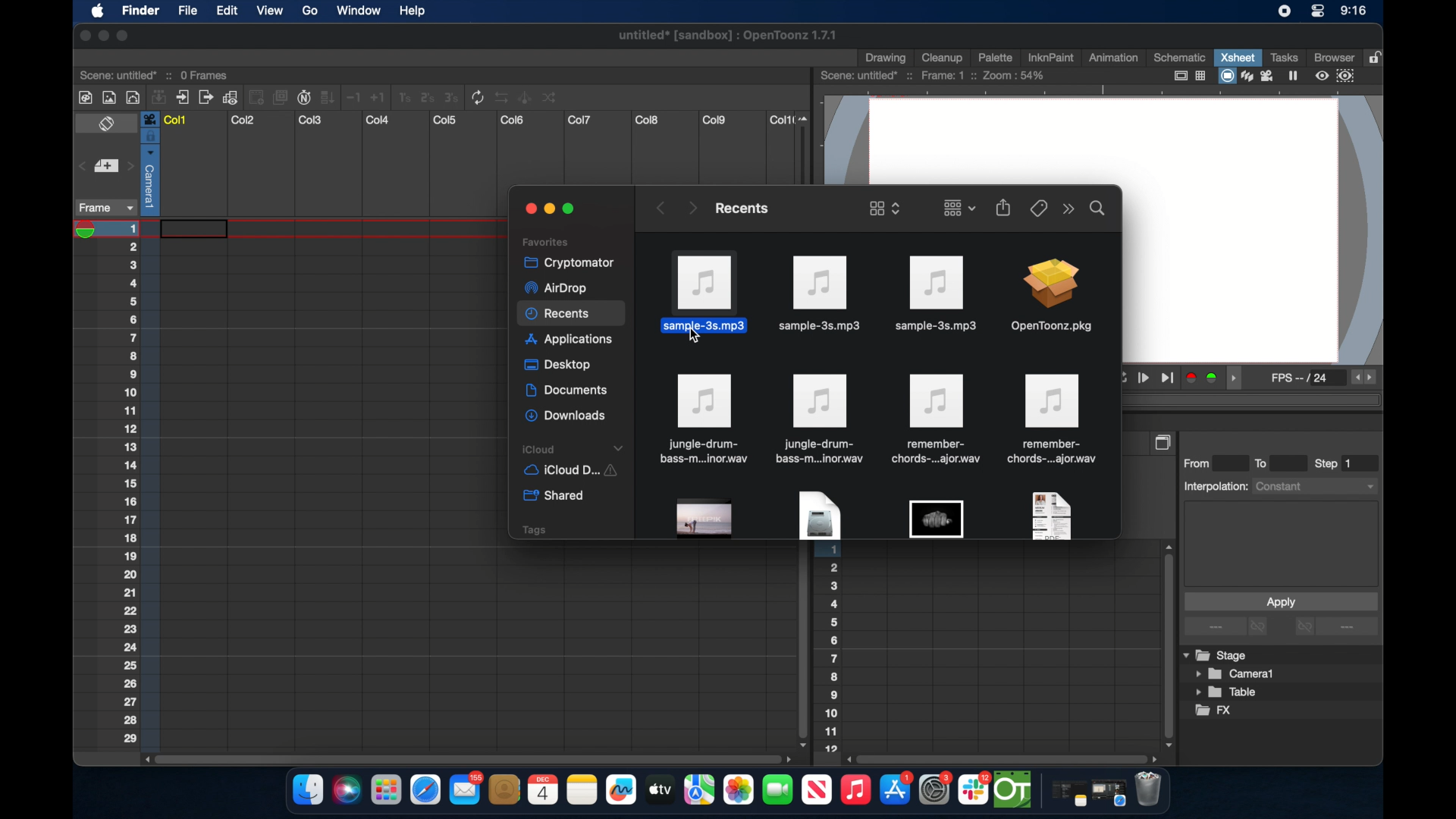  What do you see at coordinates (1266, 463) in the screenshot?
I see `to` at bounding box center [1266, 463].